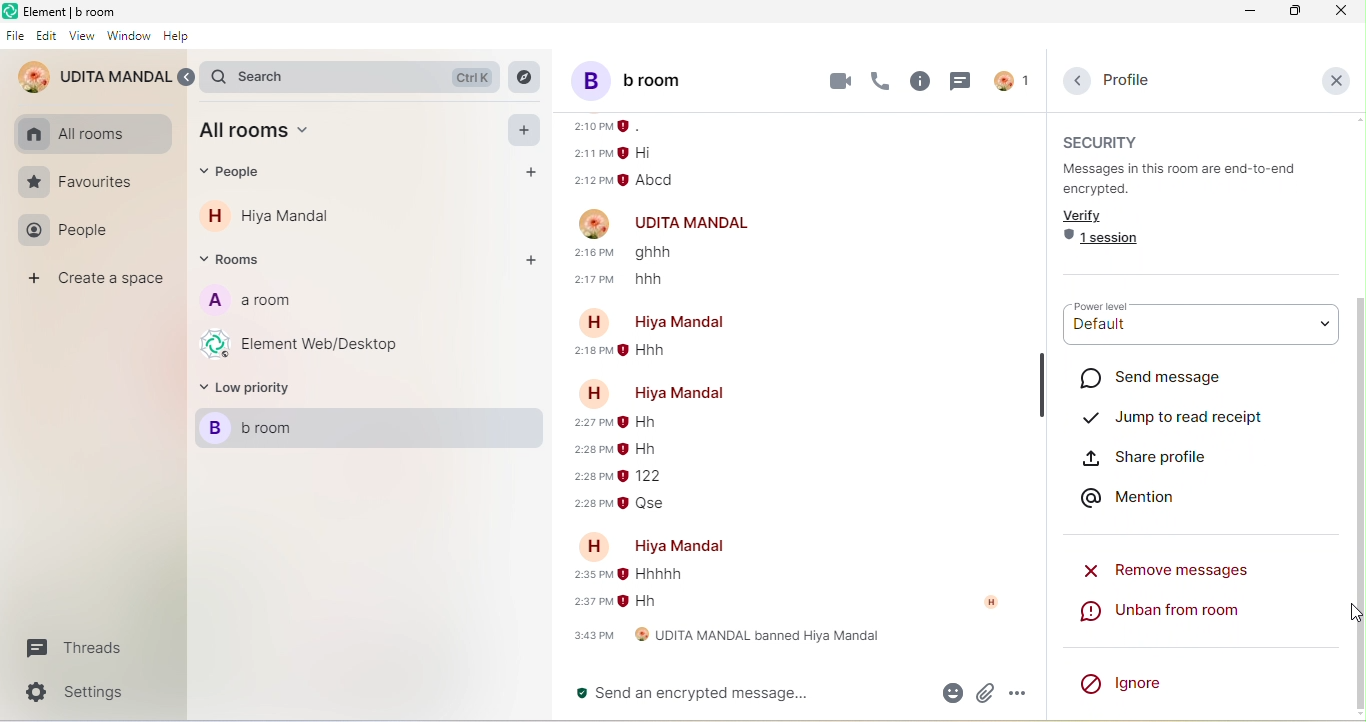  I want to click on older message from udita mandal, so click(639, 269).